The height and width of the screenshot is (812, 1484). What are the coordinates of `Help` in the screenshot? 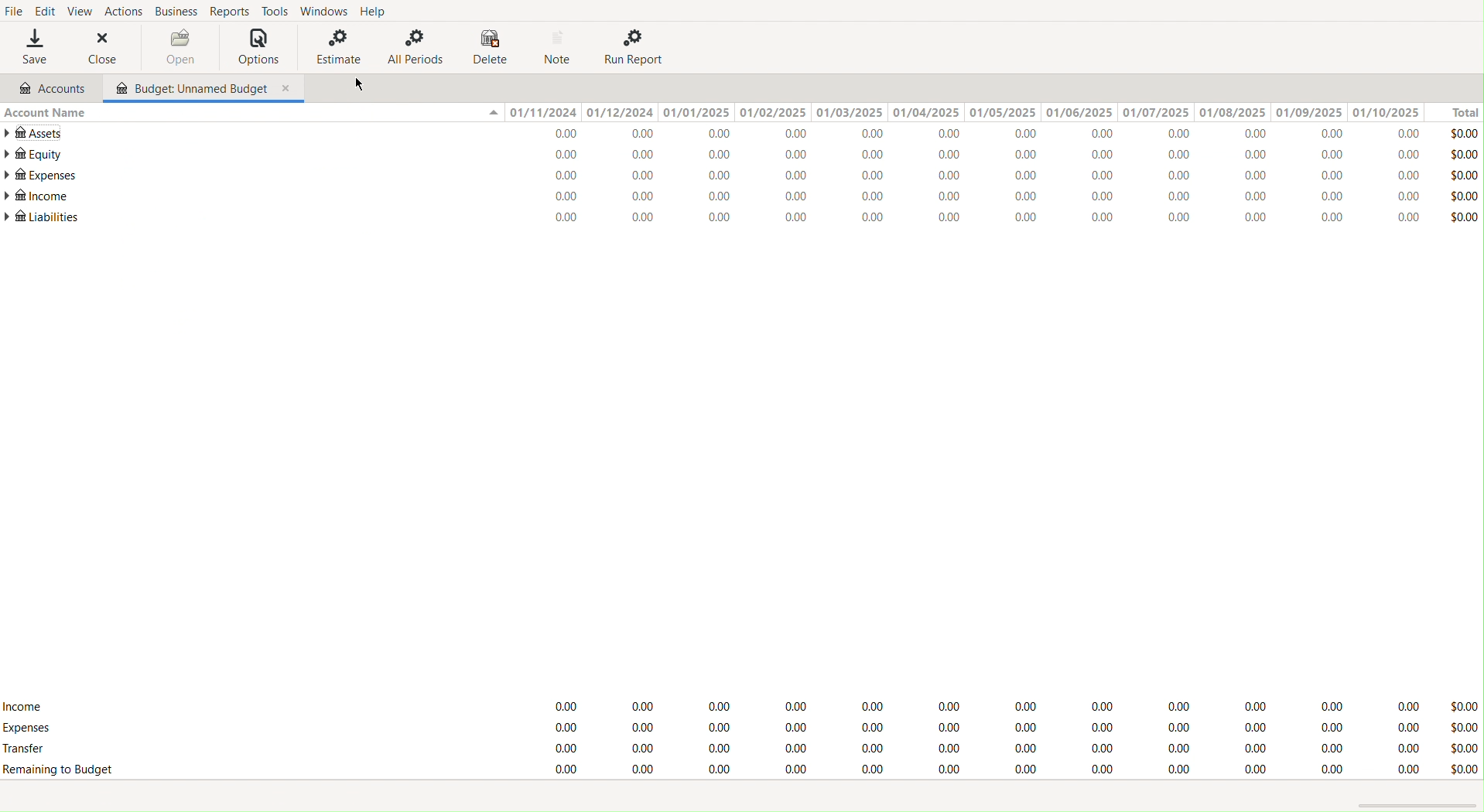 It's located at (378, 10).